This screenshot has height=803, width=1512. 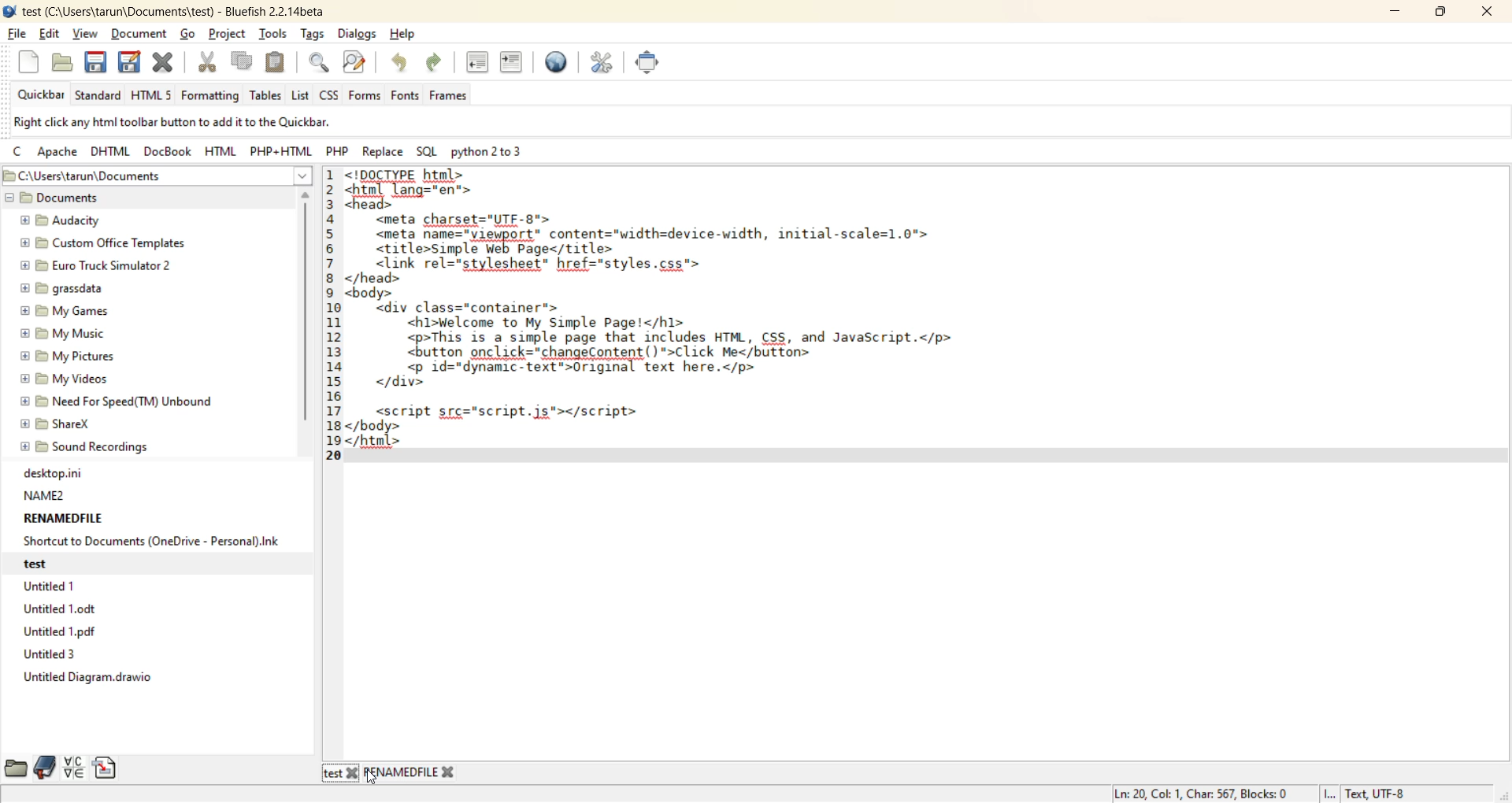 I want to click on html, so click(x=220, y=153).